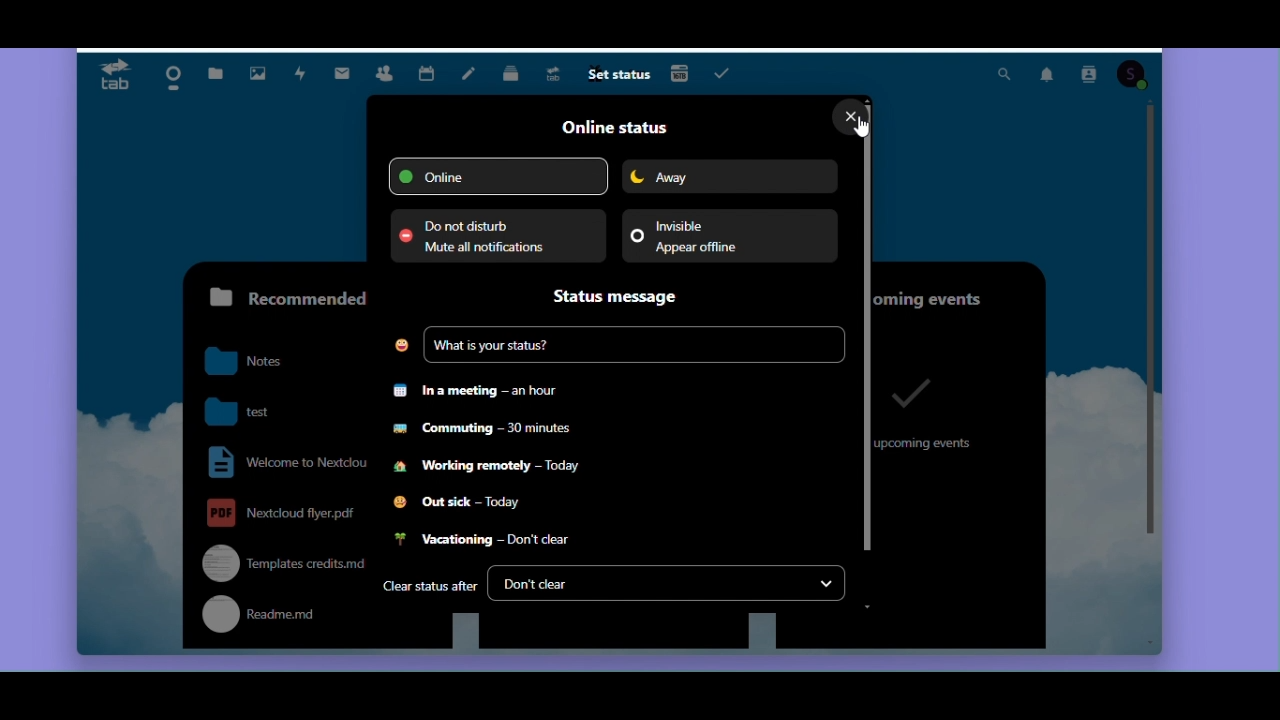 The width and height of the screenshot is (1280, 720). Describe the element at coordinates (301, 74) in the screenshot. I see `Activity` at that location.